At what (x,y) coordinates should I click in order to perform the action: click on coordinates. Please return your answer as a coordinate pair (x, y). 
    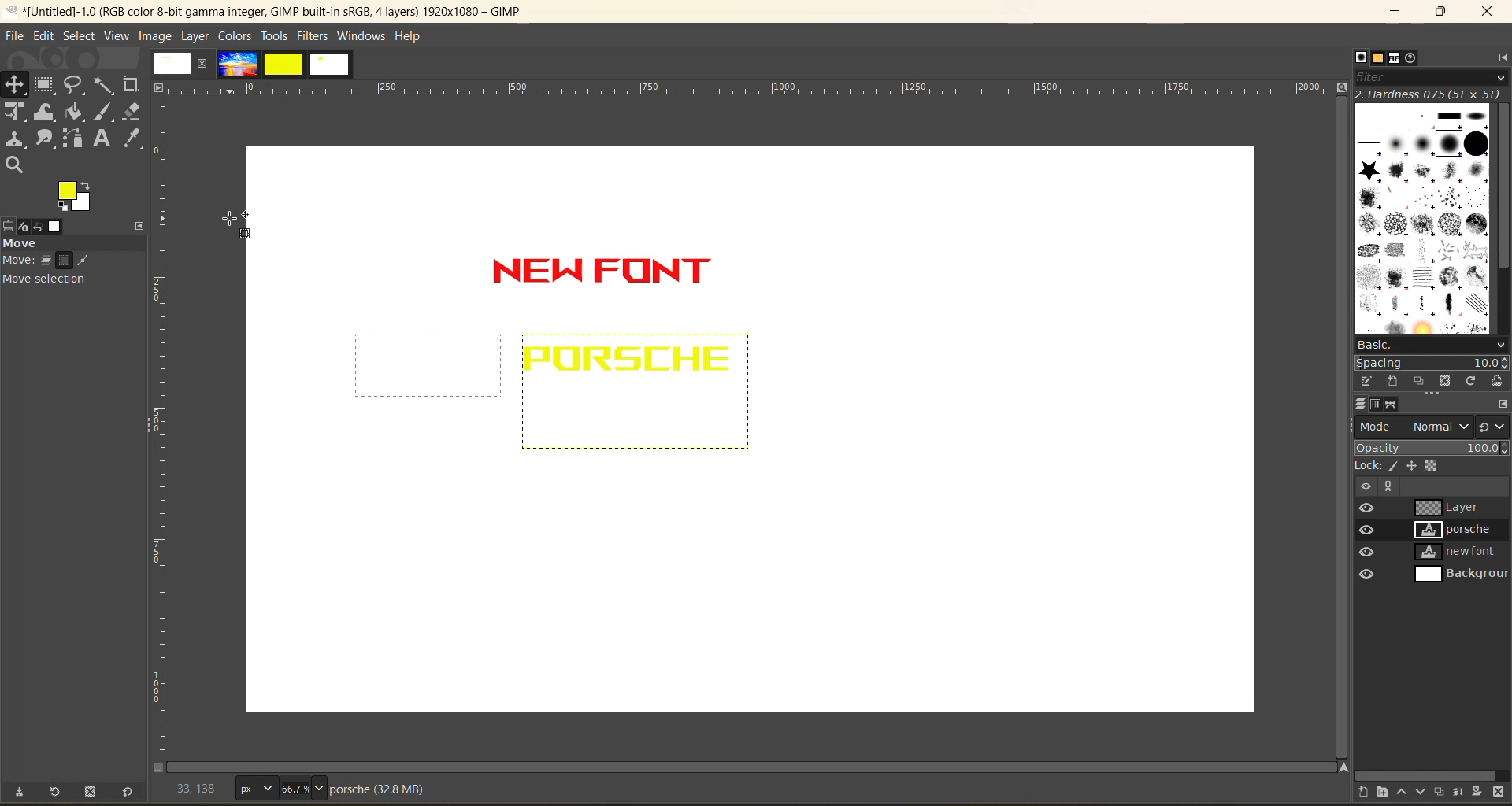
    Looking at the image, I should click on (192, 788).